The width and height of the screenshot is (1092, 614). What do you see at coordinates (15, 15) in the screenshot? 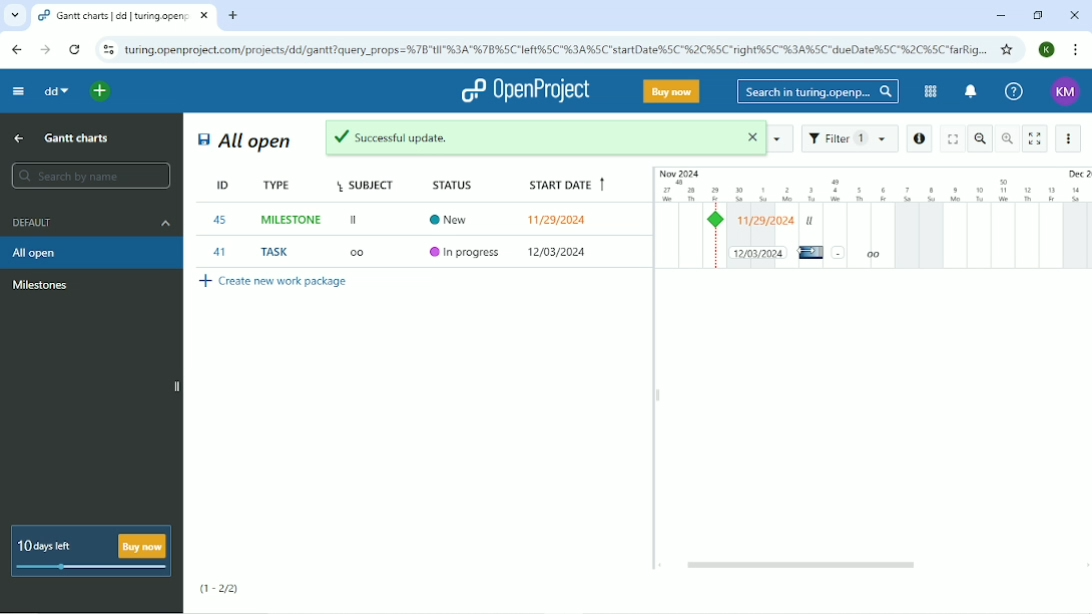
I see `Search tabs` at bounding box center [15, 15].